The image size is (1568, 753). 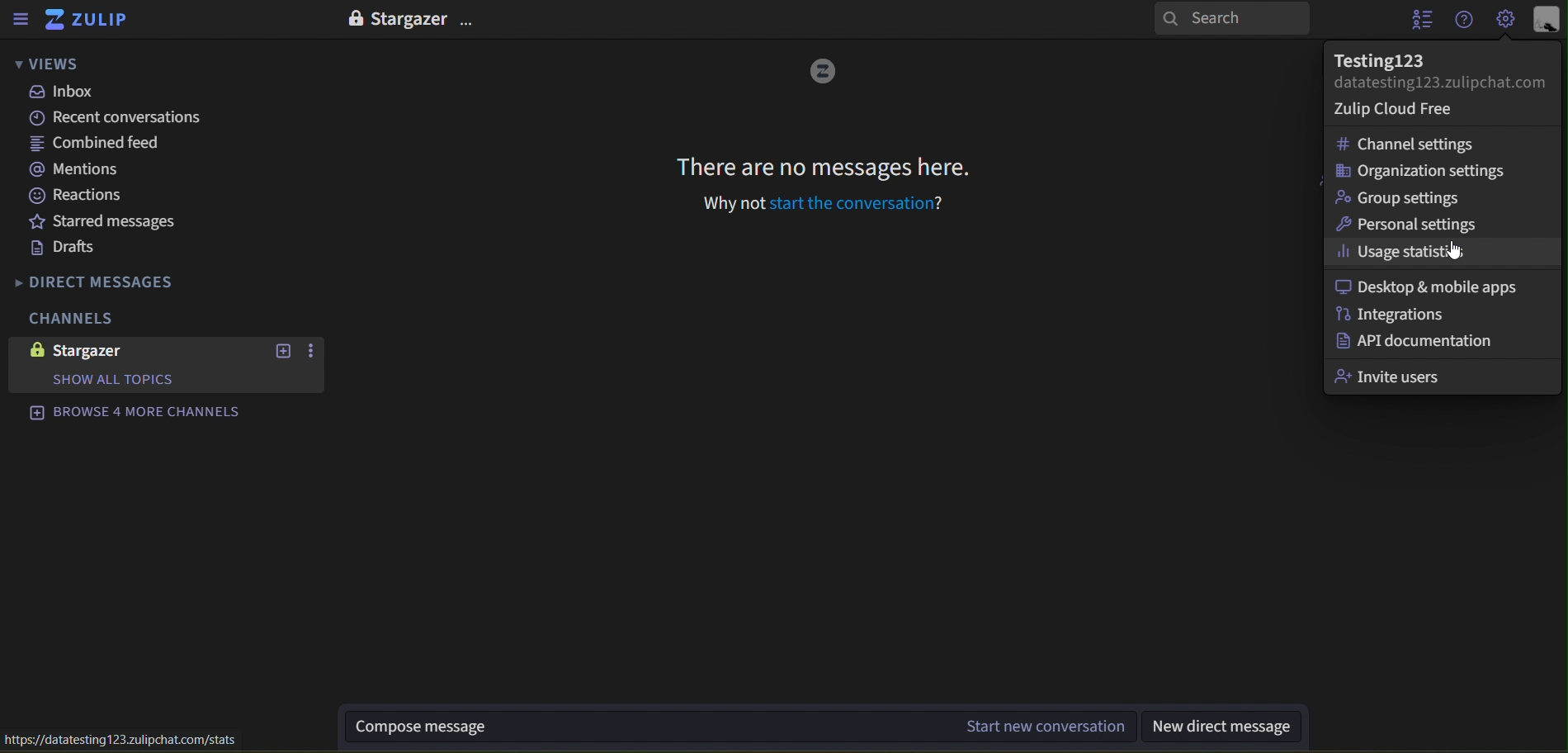 I want to click on new options, so click(x=284, y=351).